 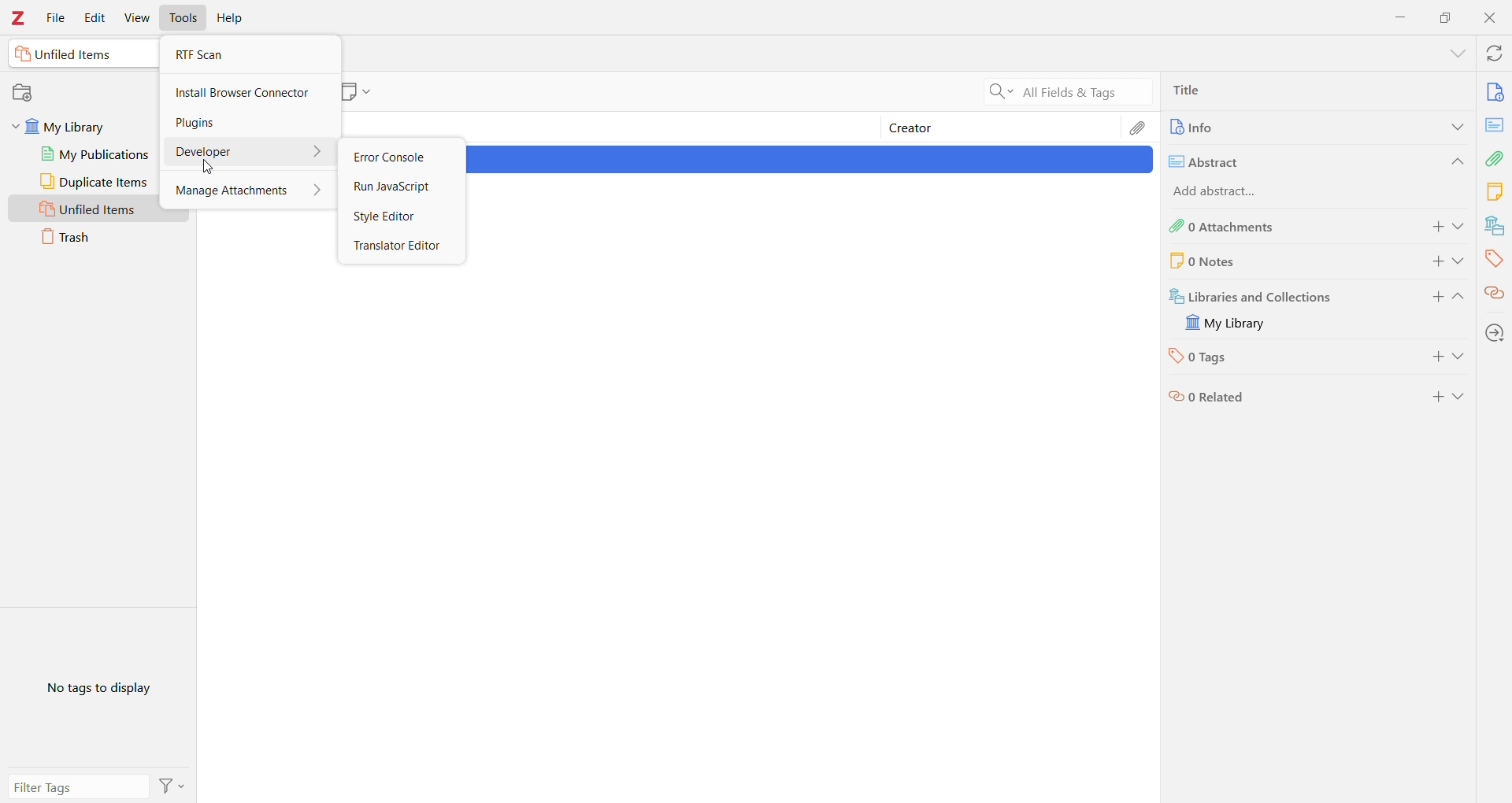 I want to click on Manage Attachments, so click(x=250, y=189).